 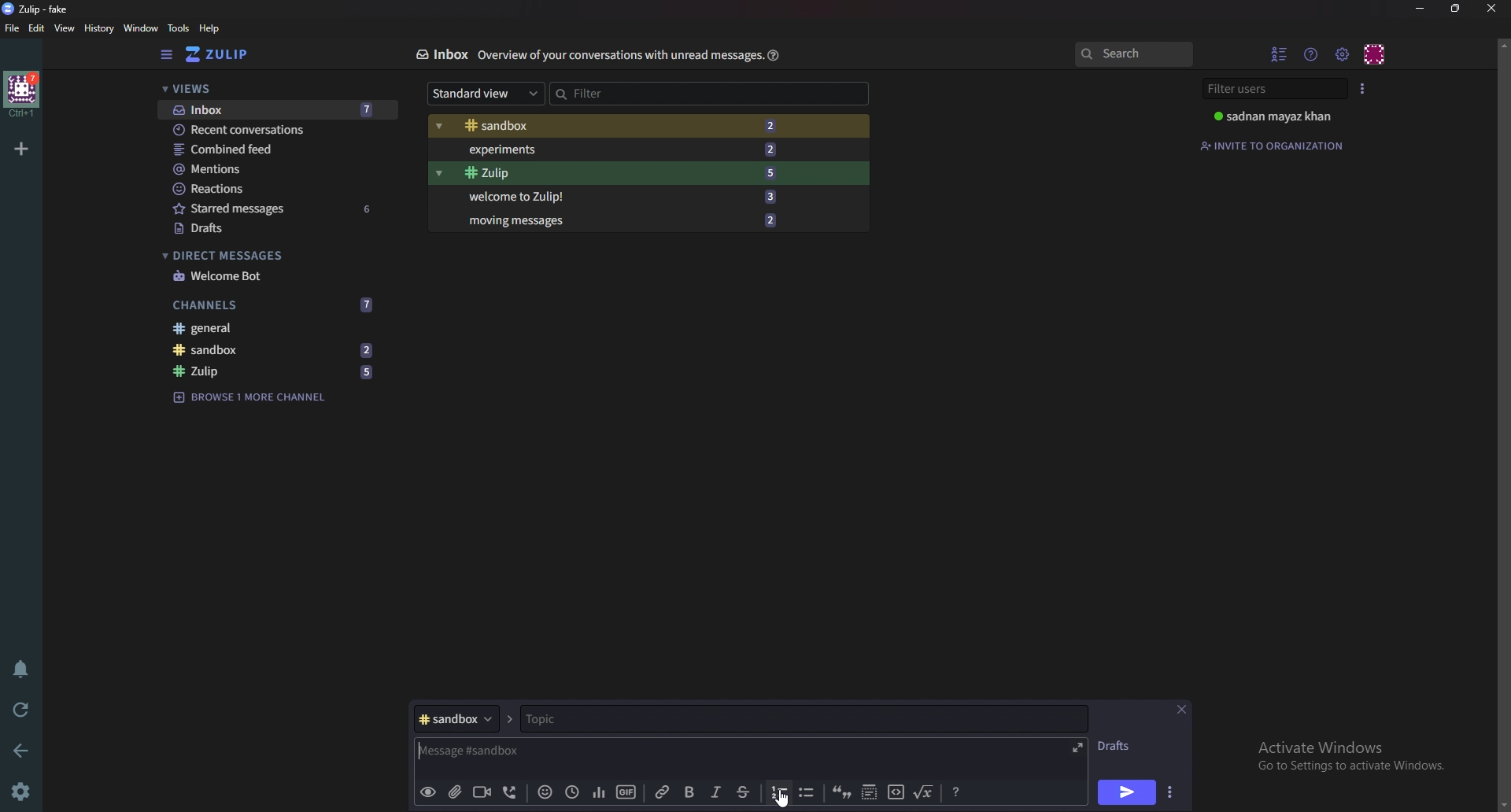 What do you see at coordinates (1343, 54) in the screenshot?
I see `main menu` at bounding box center [1343, 54].